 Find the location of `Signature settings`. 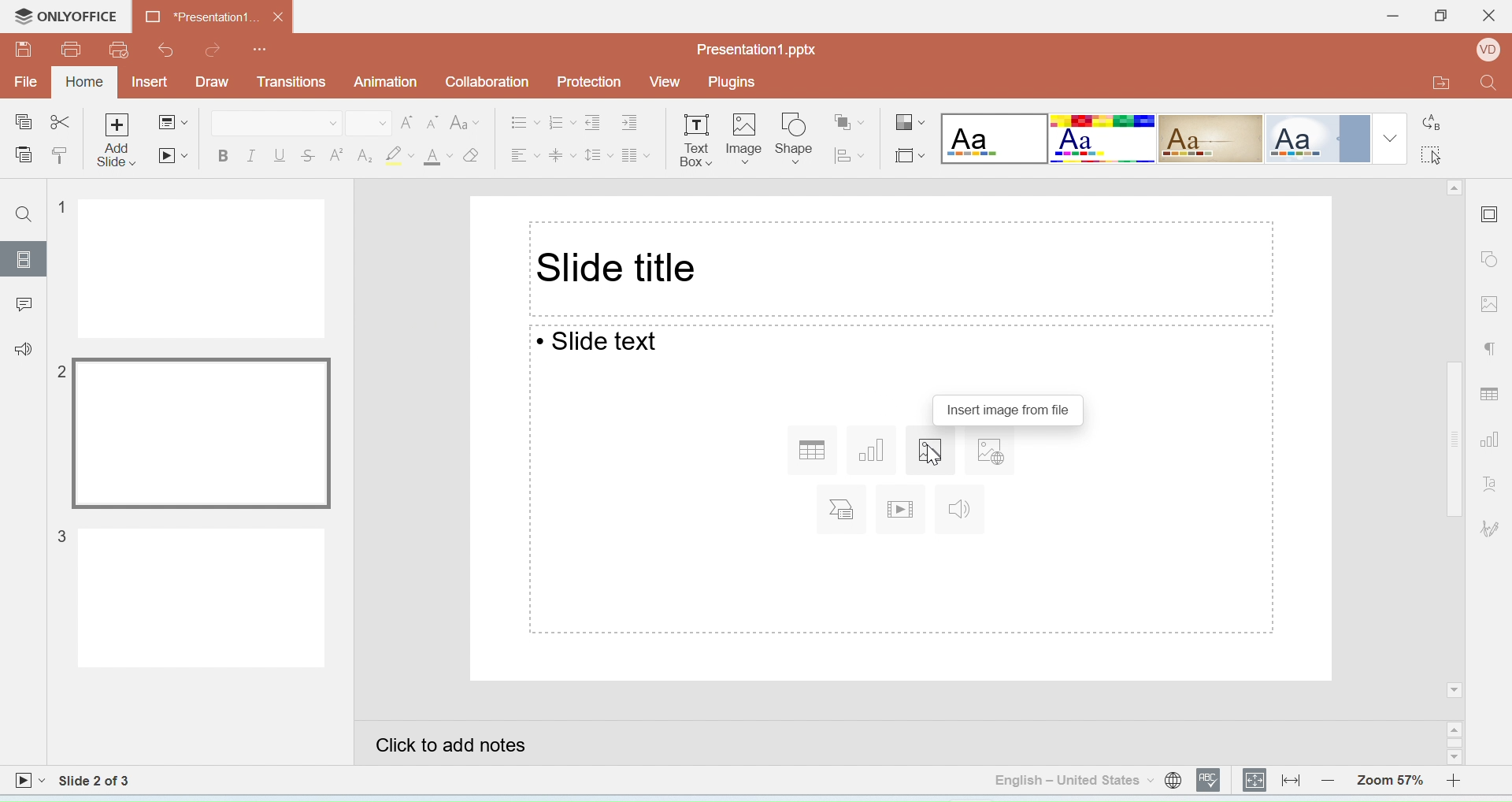

Signature settings is located at coordinates (1492, 528).